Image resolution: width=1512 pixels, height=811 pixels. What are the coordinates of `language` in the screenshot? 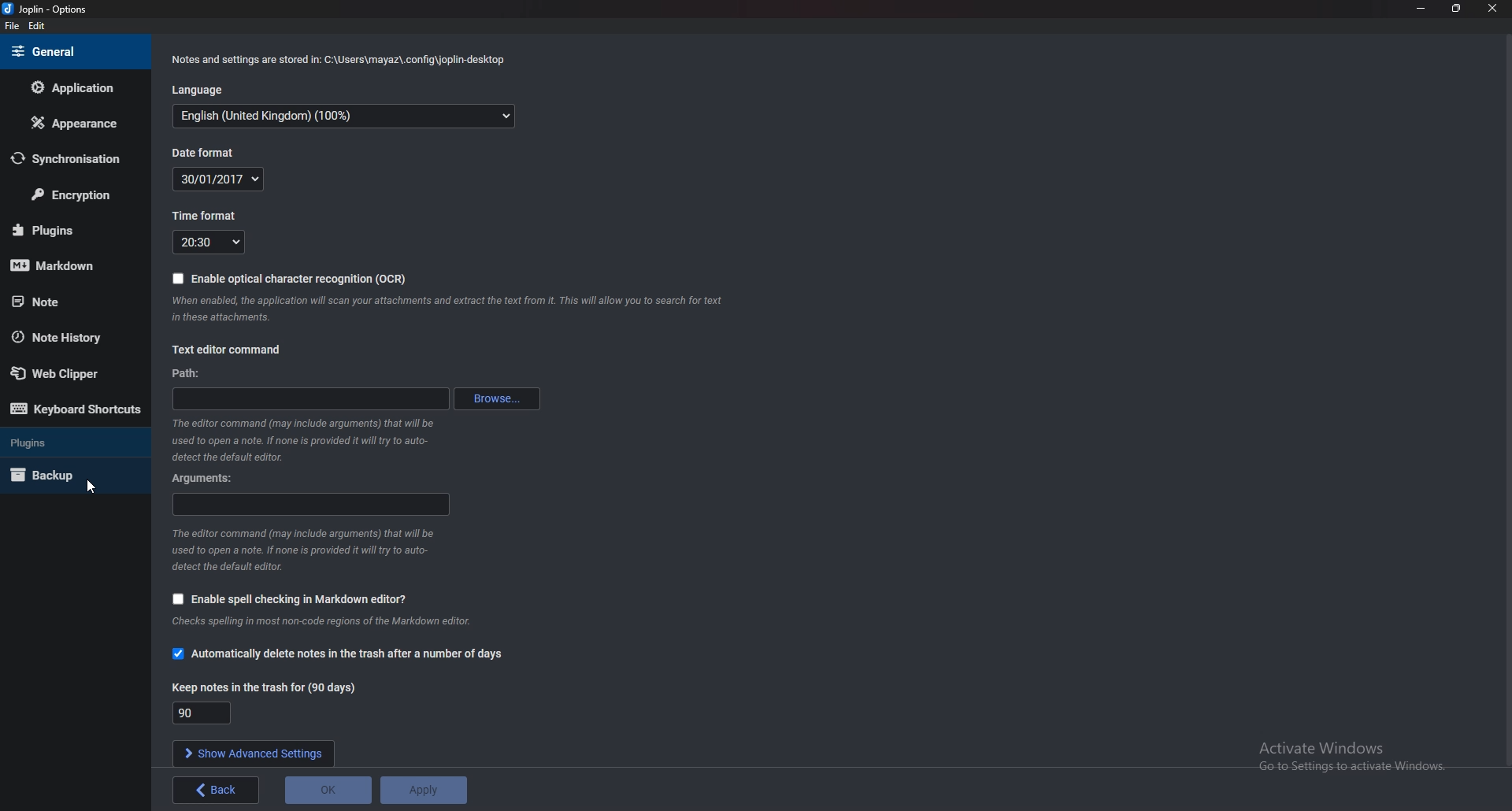 It's located at (203, 89).